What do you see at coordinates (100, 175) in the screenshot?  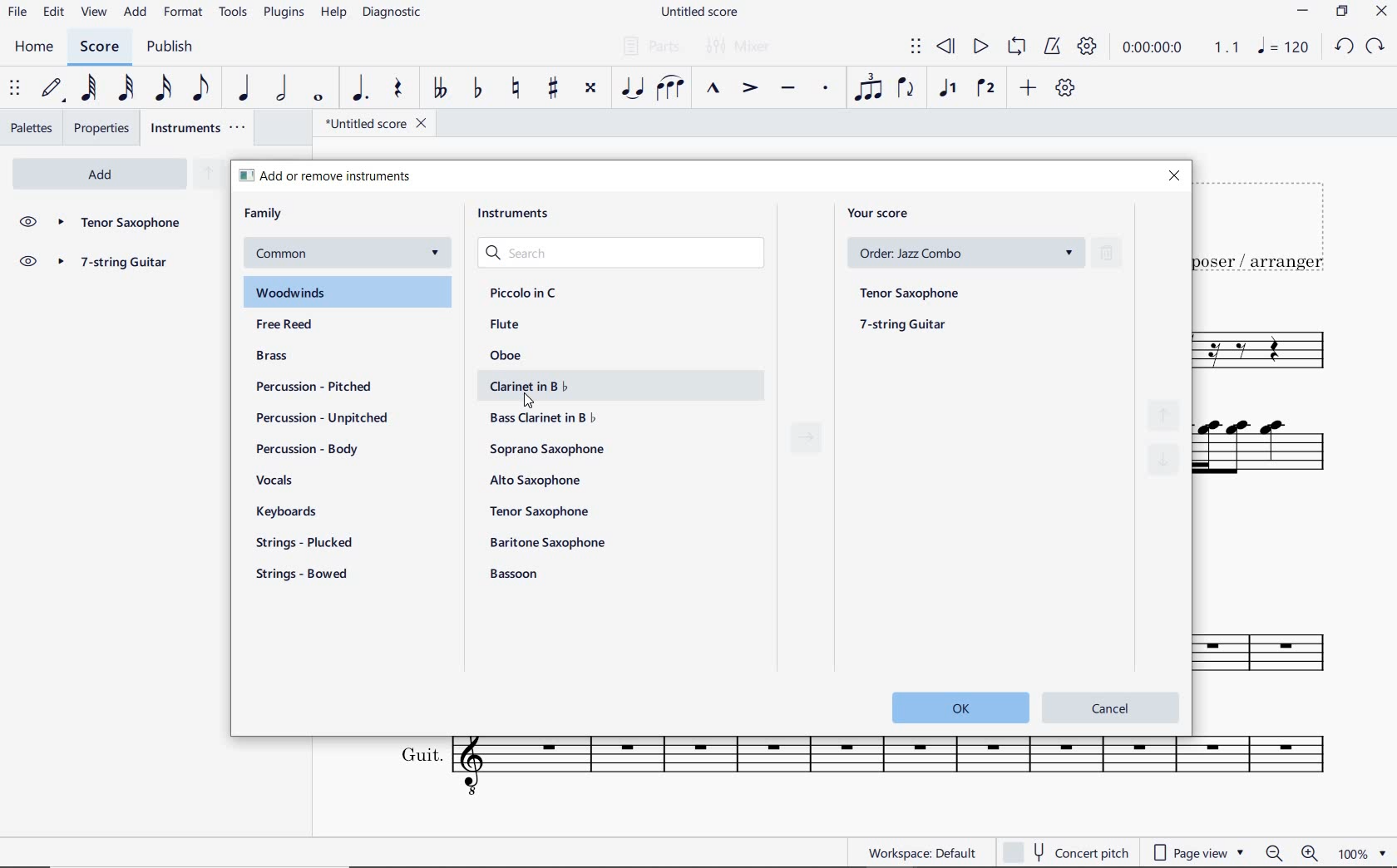 I see `add instrument` at bounding box center [100, 175].